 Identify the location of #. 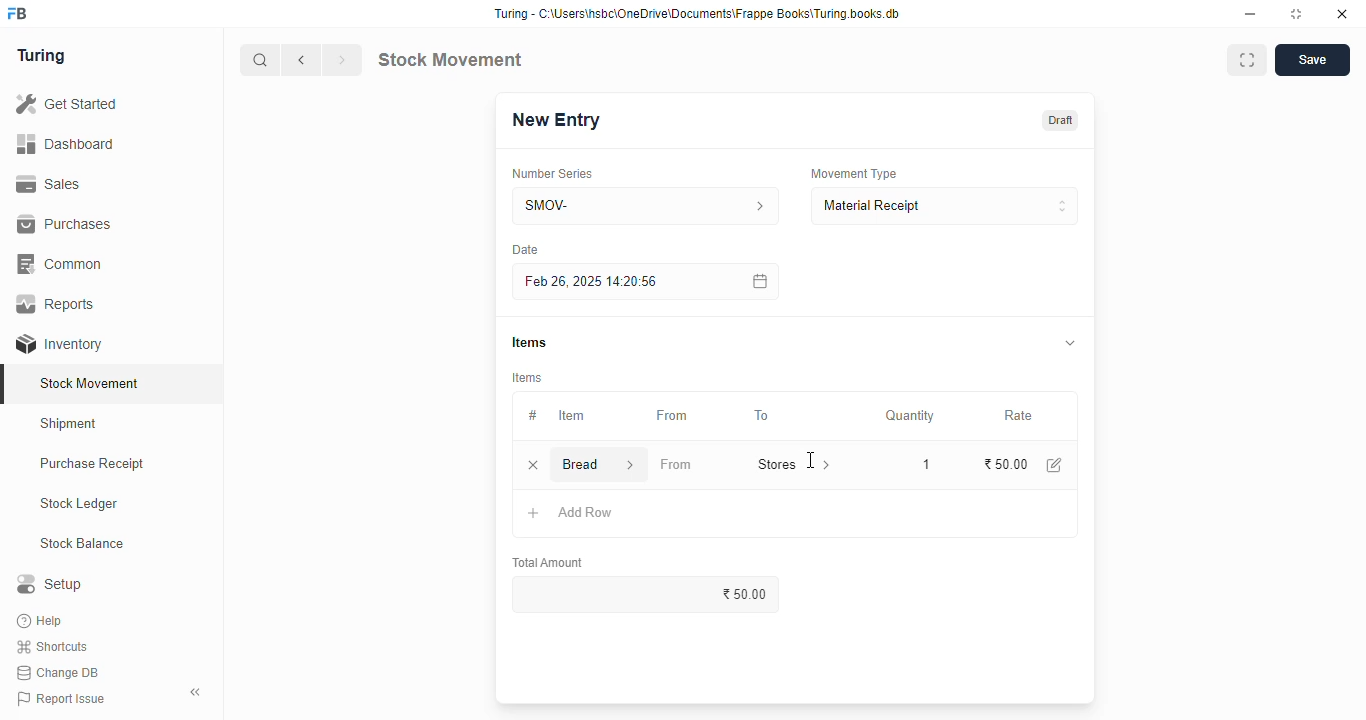
(533, 416).